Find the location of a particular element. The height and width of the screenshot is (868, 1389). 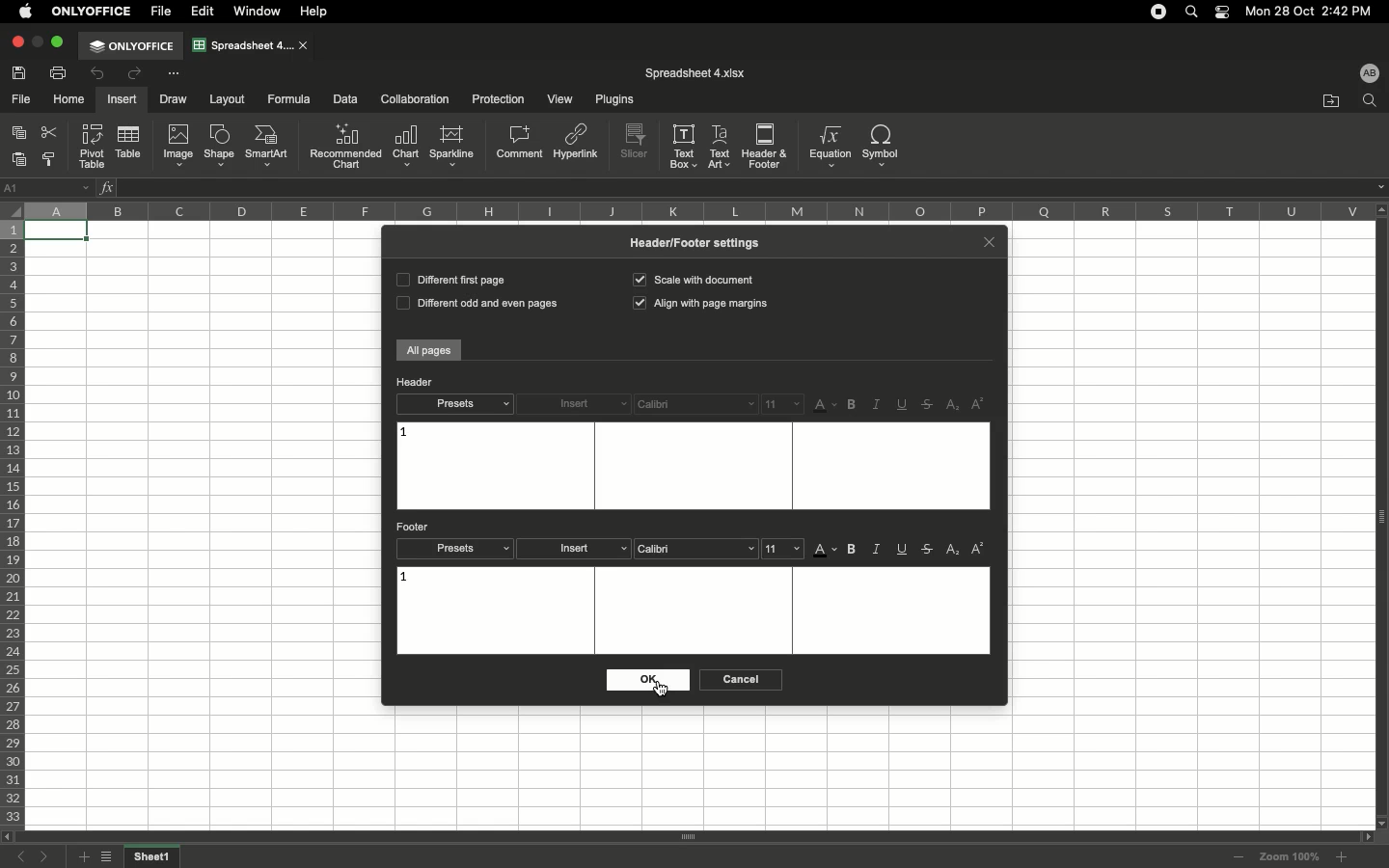

Search is located at coordinates (1194, 11).